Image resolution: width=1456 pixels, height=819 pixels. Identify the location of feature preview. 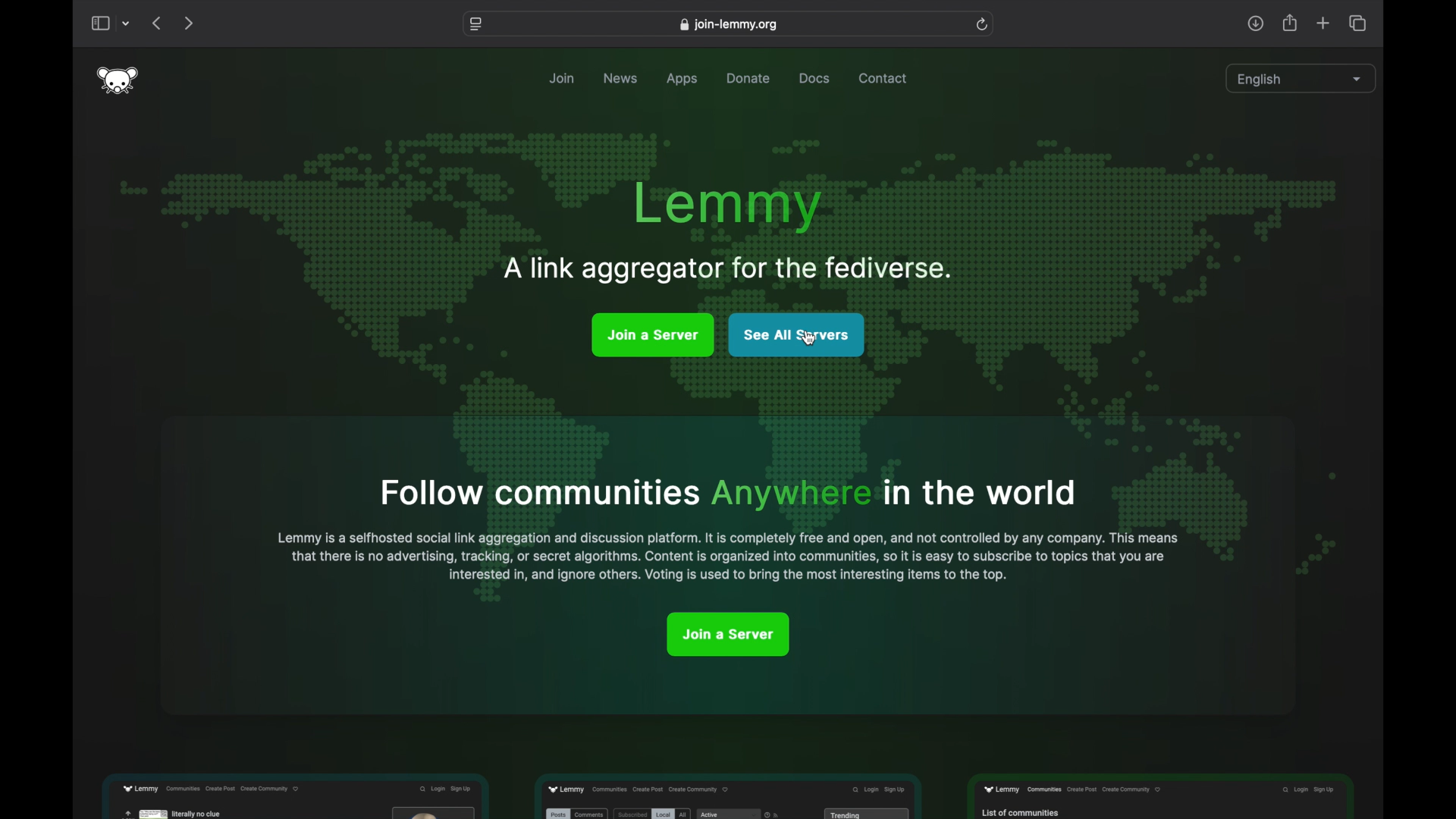
(297, 794).